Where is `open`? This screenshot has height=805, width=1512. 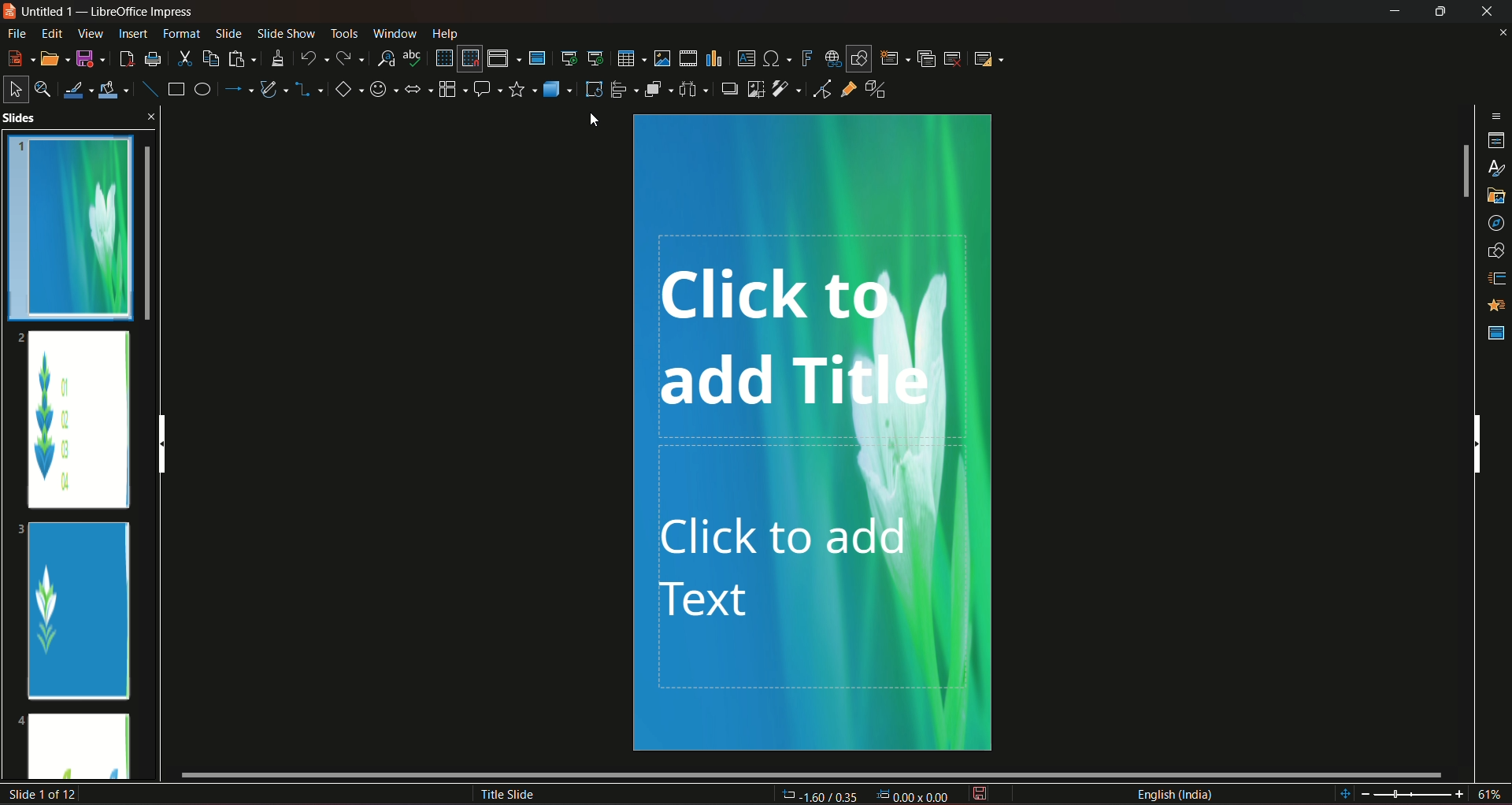 open is located at coordinates (54, 57).